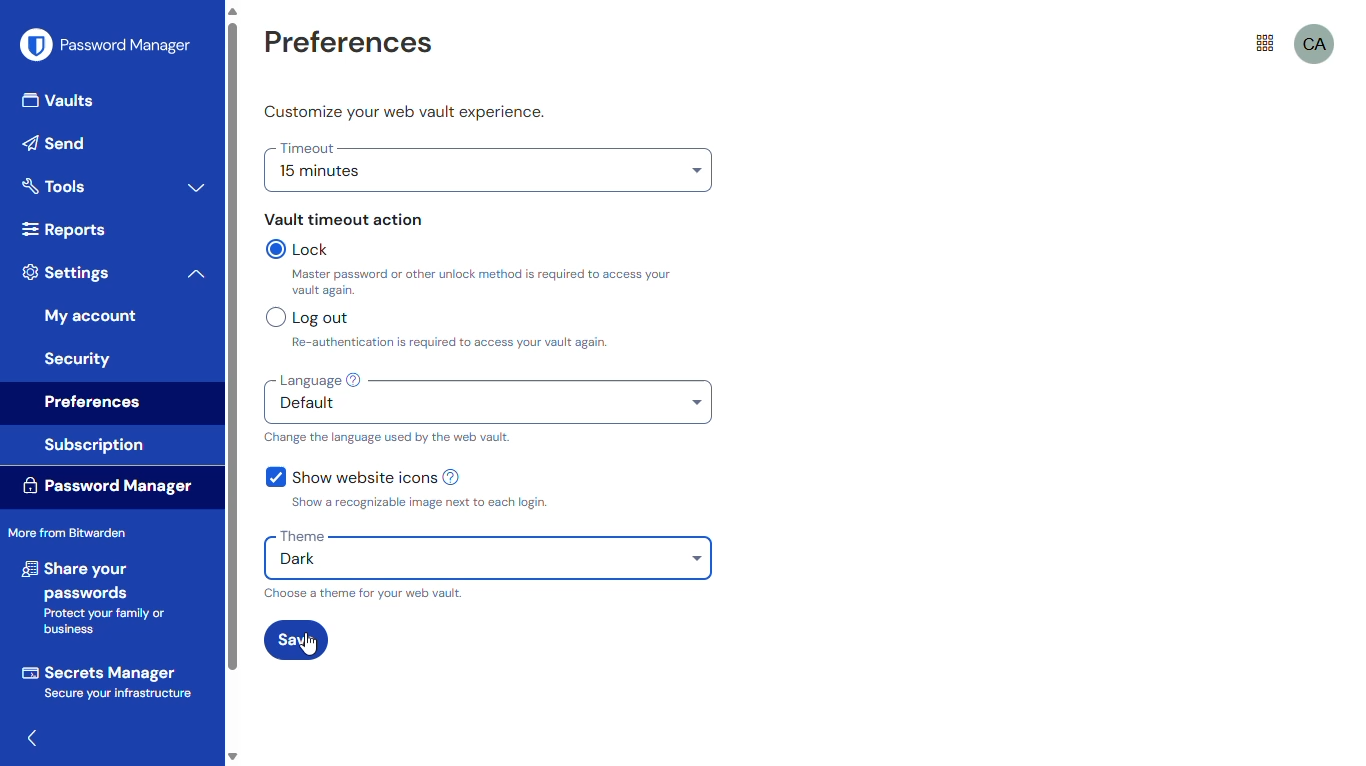 The width and height of the screenshot is (1366, 766). What do you see at coordinates (312, 648) in the screenshot?
I see `cursor` at bounding box center [312, 648].